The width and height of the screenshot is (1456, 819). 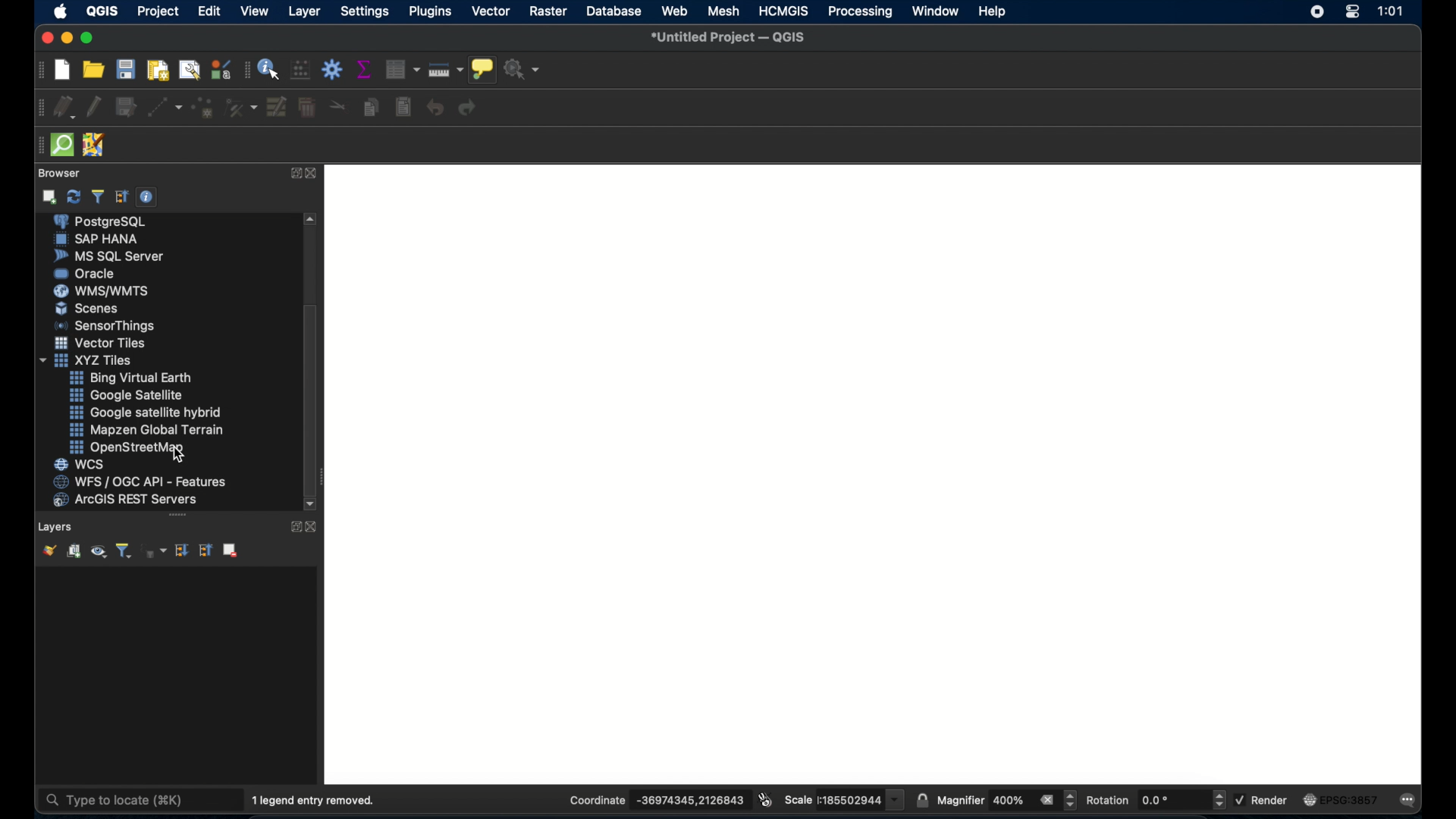 I want to click on view, so click(x=256, y=11).